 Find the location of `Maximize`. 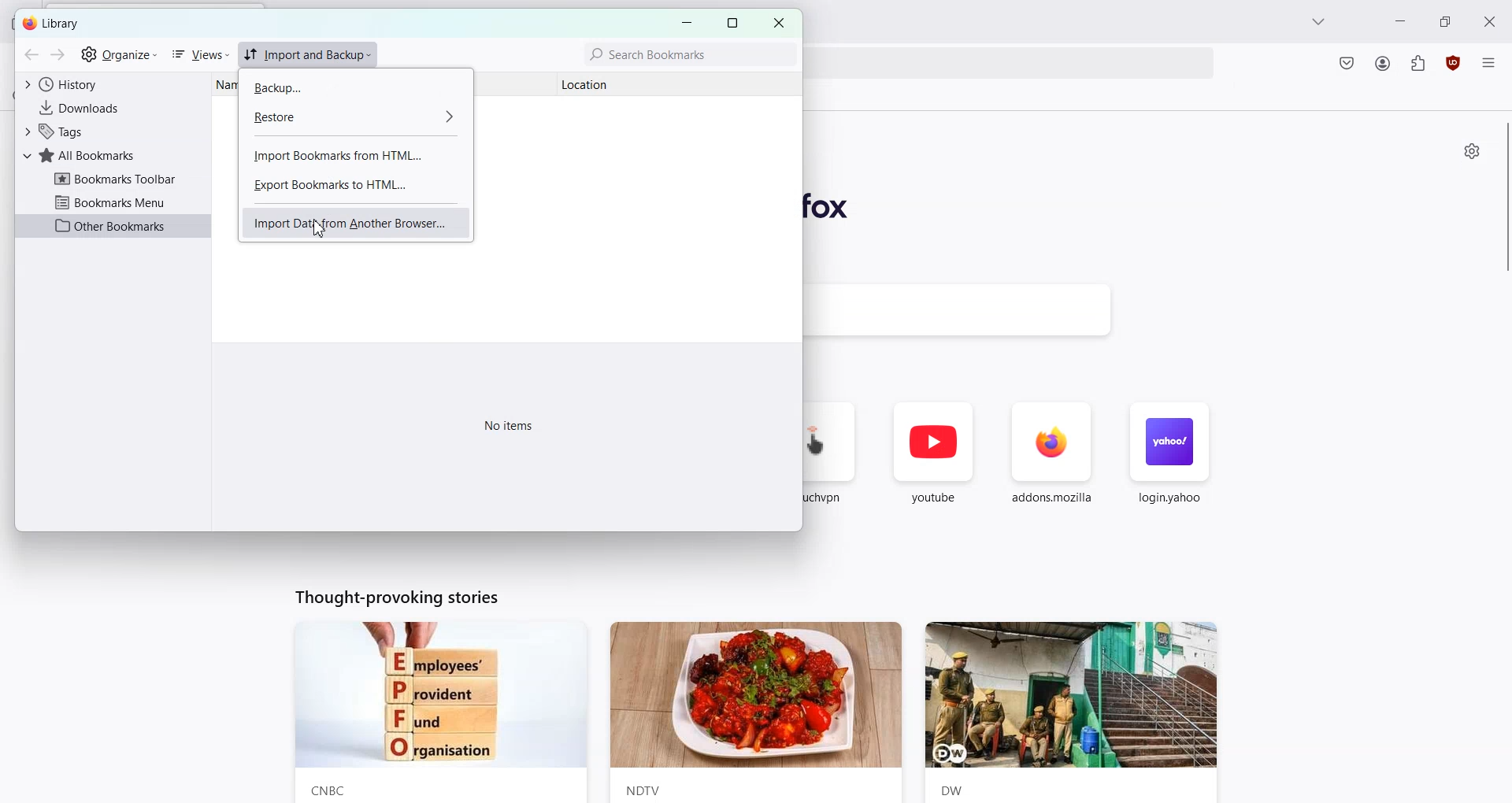

Maximize is located at coordinates (1444, 20).